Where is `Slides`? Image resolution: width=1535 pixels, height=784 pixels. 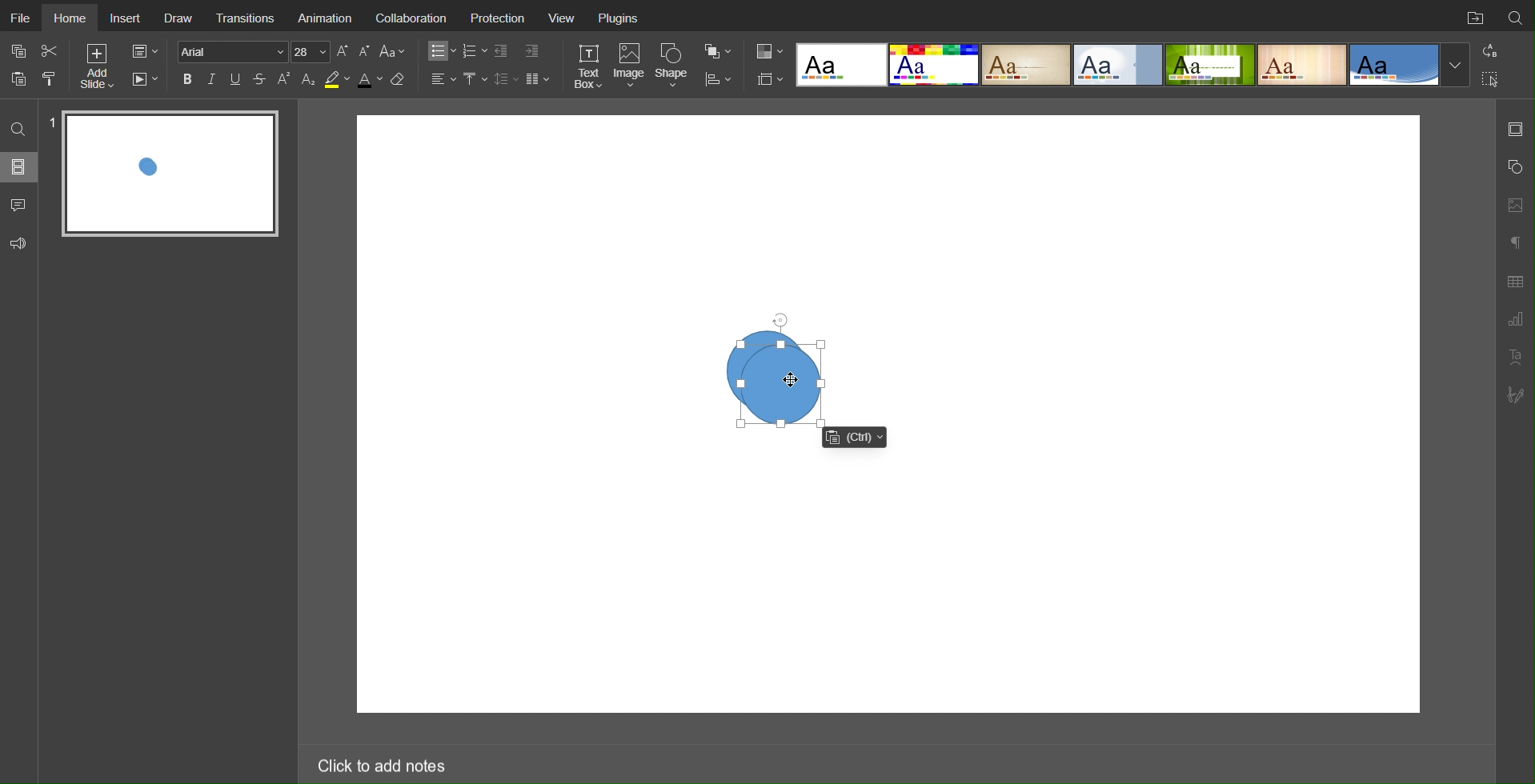
Slides is located at coordinates (20, 166).